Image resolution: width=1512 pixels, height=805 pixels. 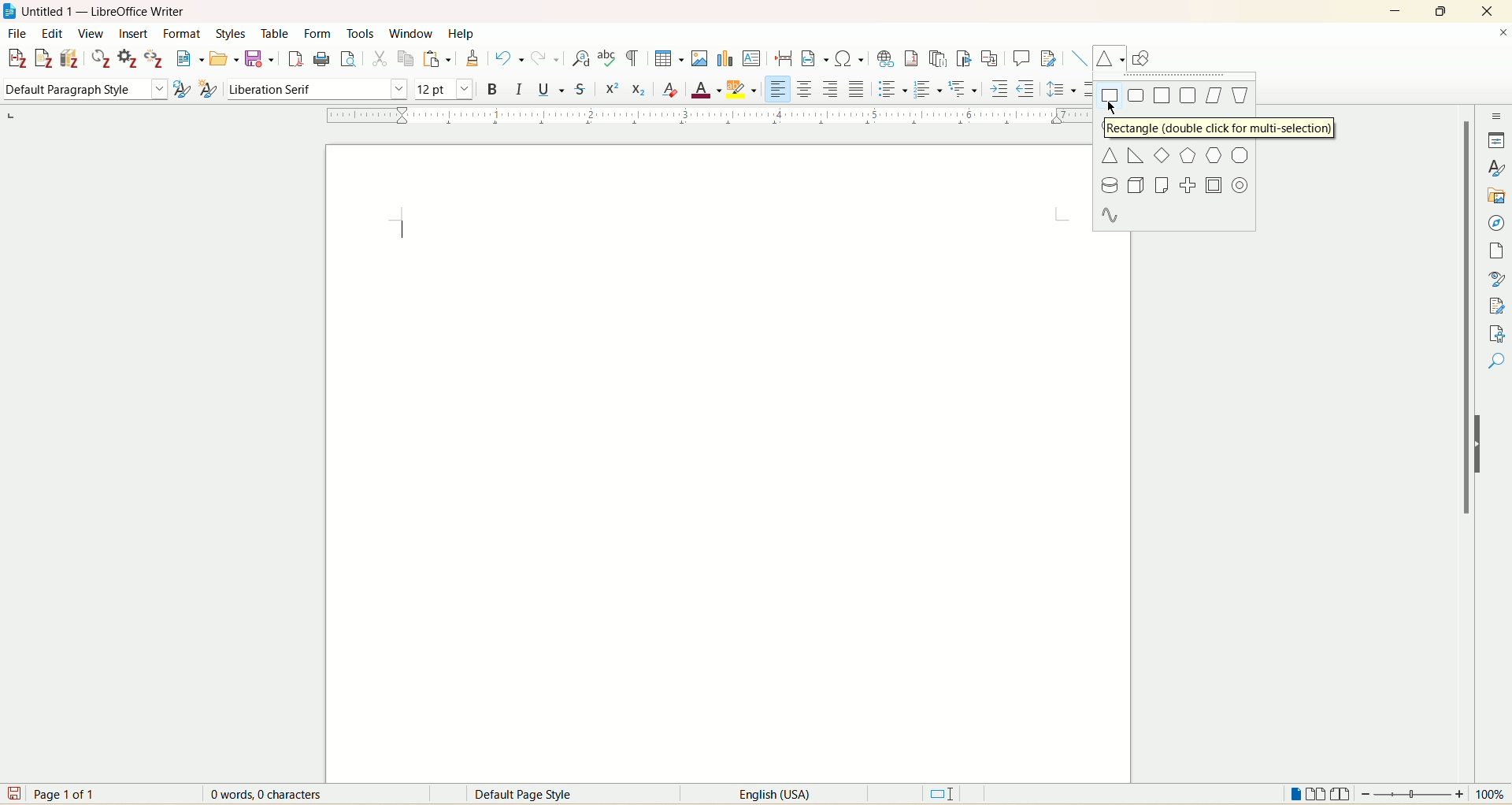 What do you see at coordinates (669, 57) in the screenshot?
I see `insert table` at bounding box center [669, 57].